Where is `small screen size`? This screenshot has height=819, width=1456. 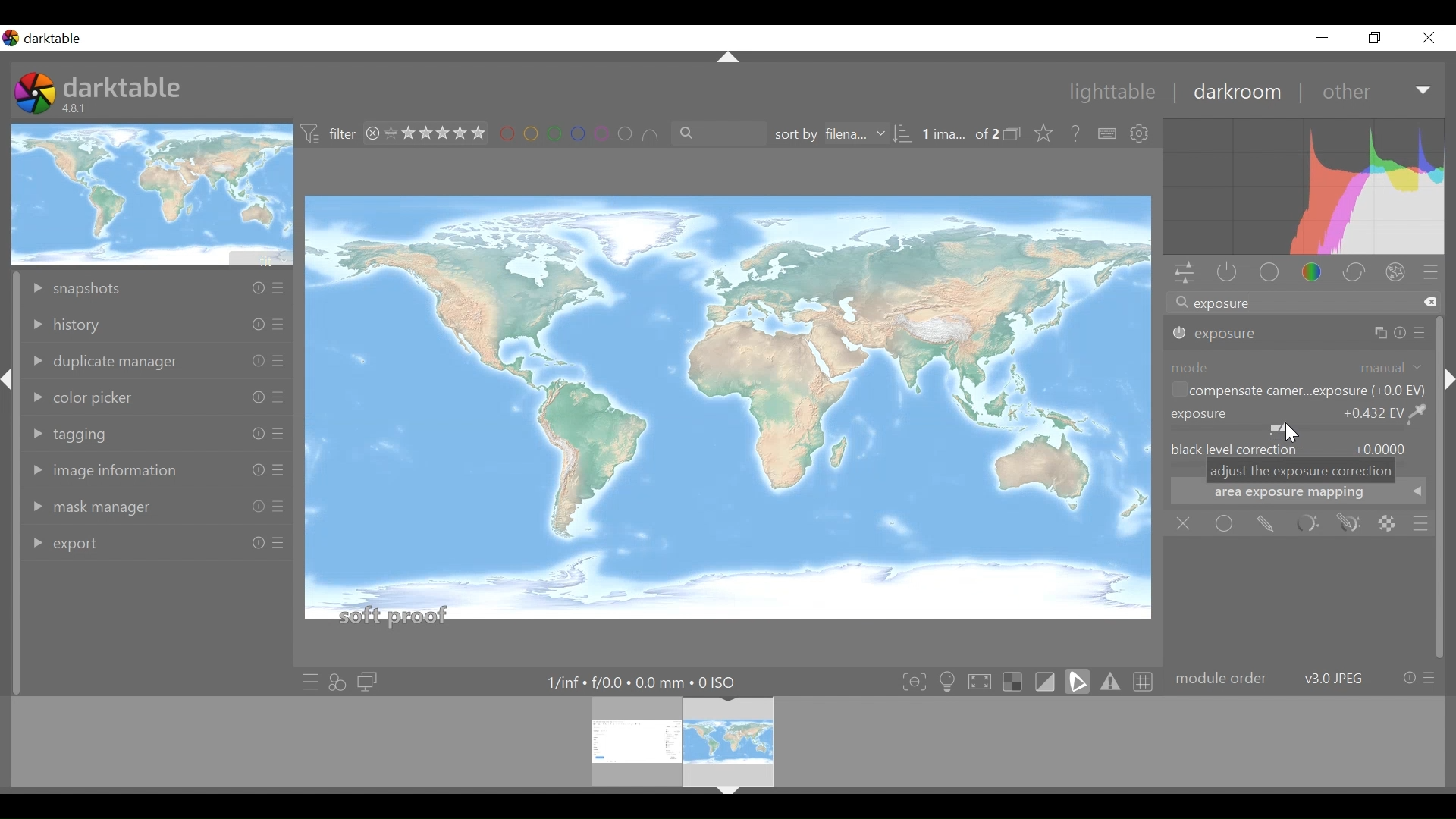
small screen size is located at coordinates (1376, 37).